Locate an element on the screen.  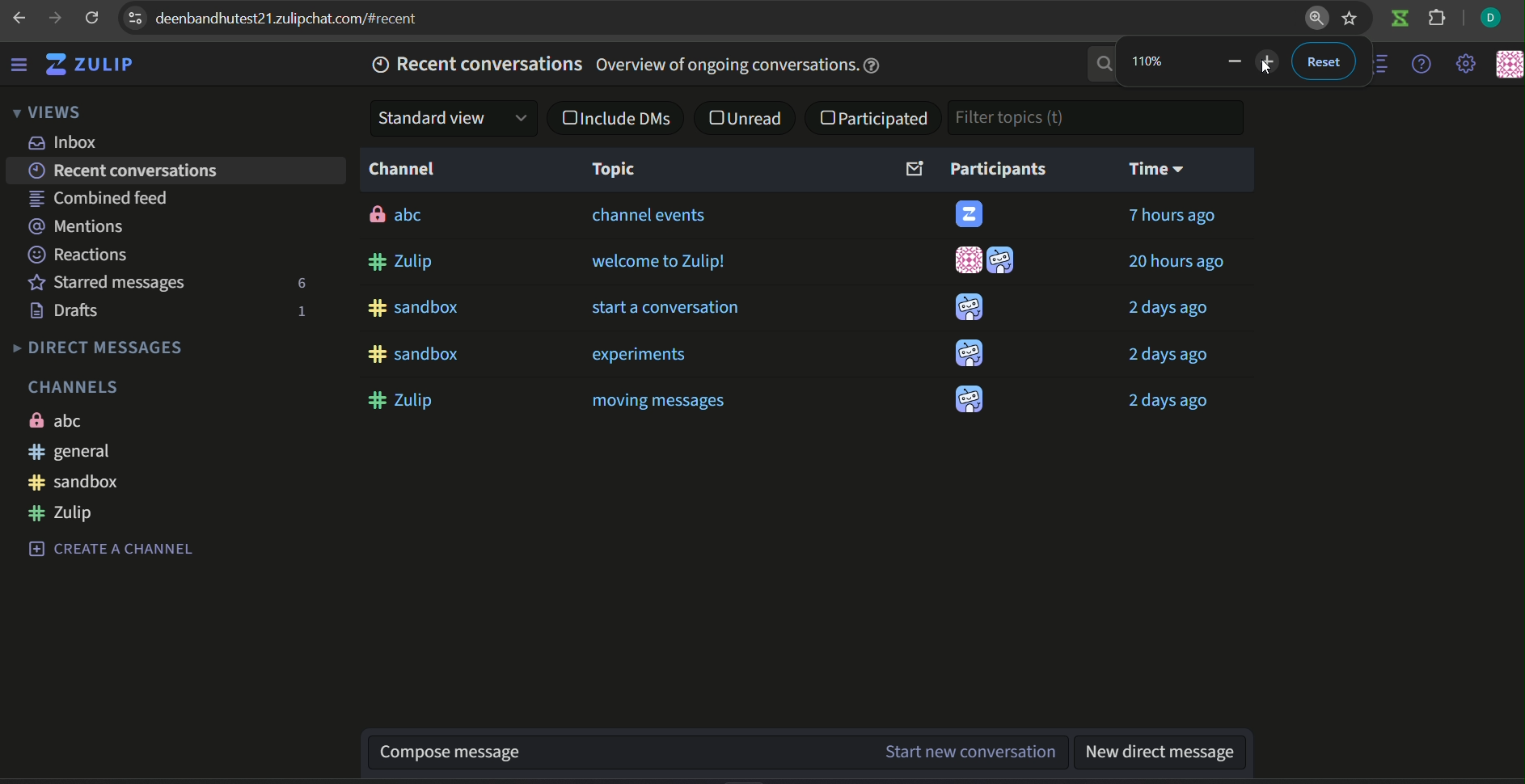
#general is located at coordinates (73, 451).